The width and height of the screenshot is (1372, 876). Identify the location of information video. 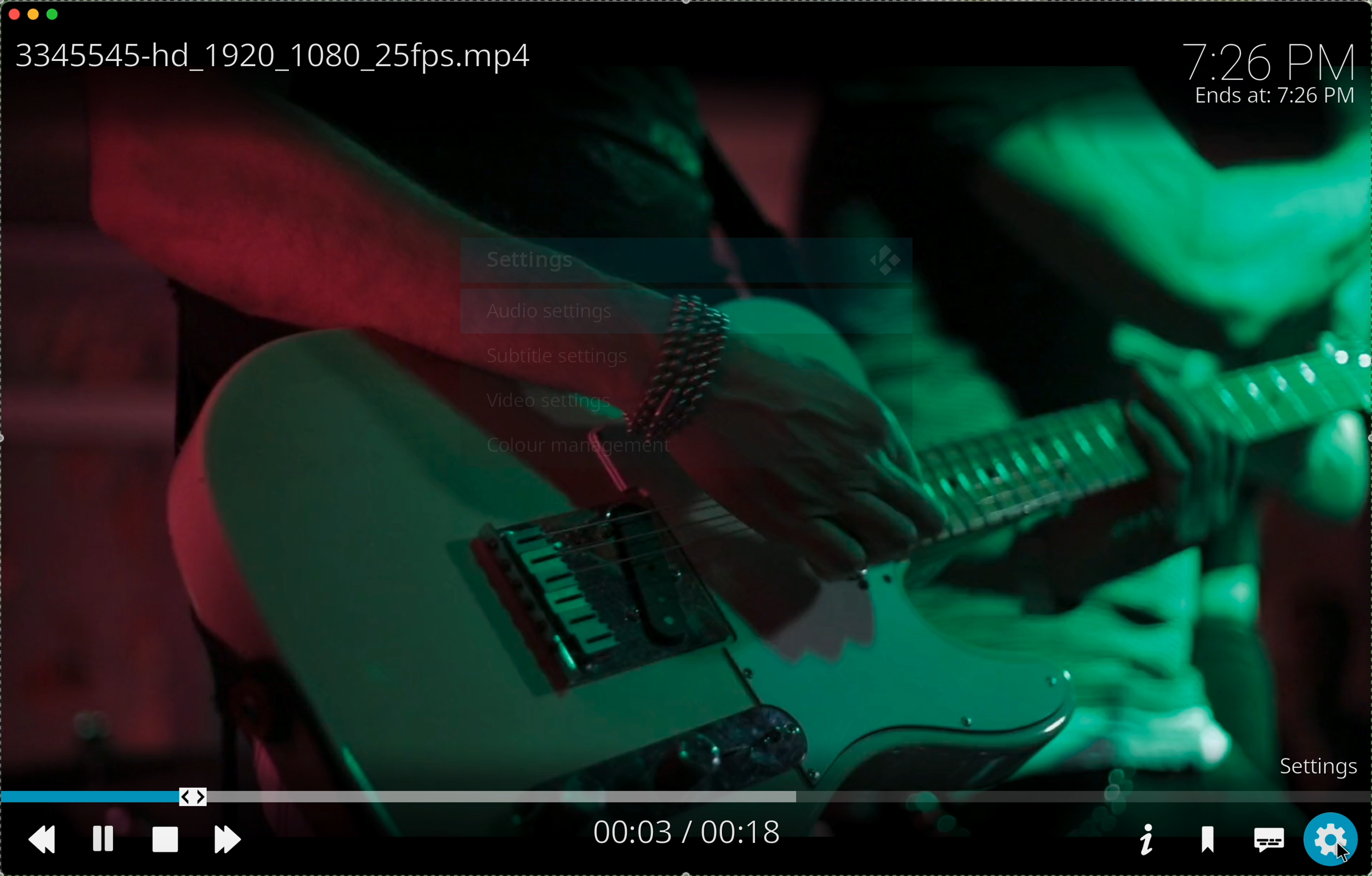
(1146, 840).